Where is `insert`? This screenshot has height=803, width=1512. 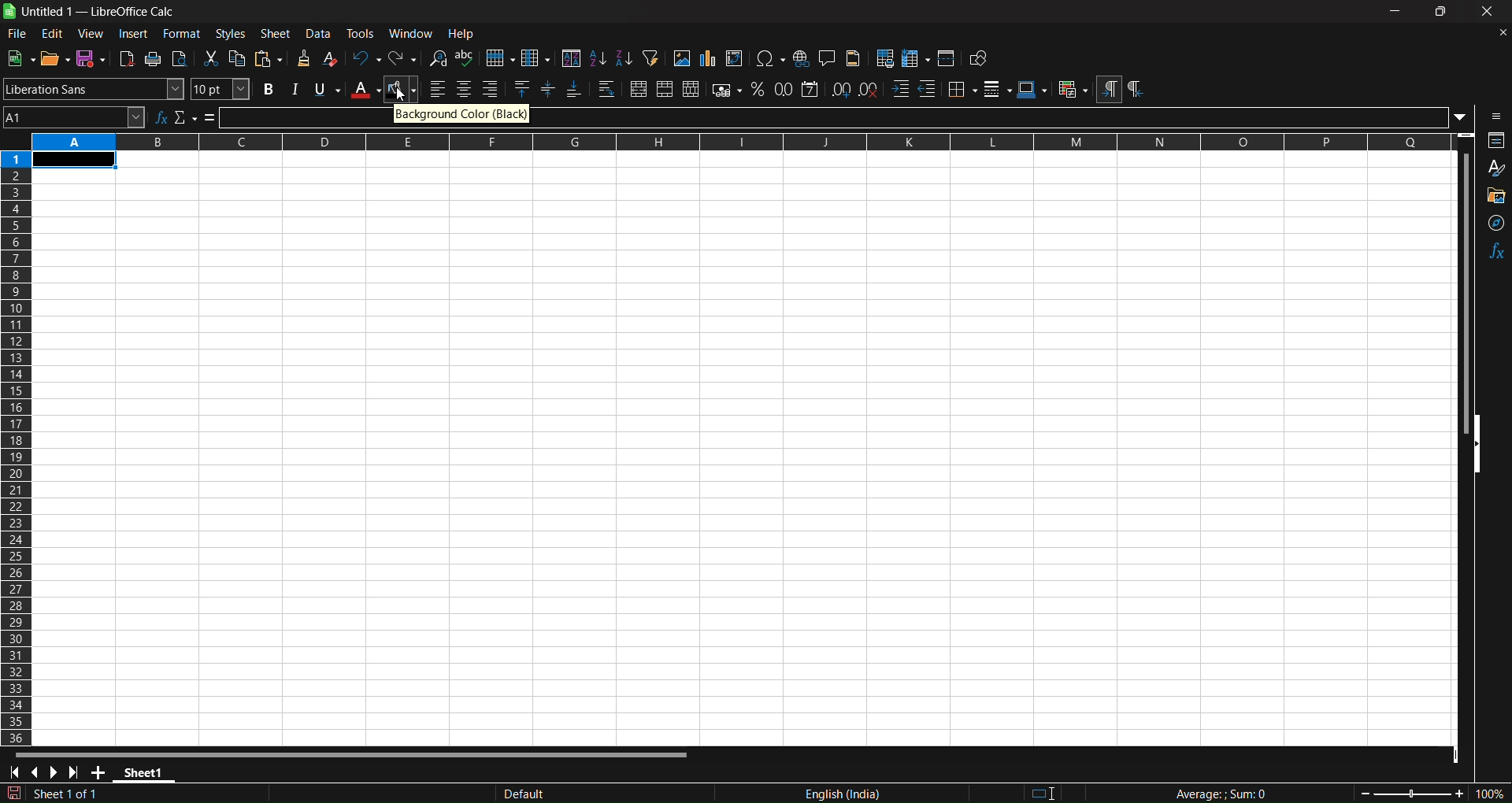
insert is located at coordinates (135, 35).